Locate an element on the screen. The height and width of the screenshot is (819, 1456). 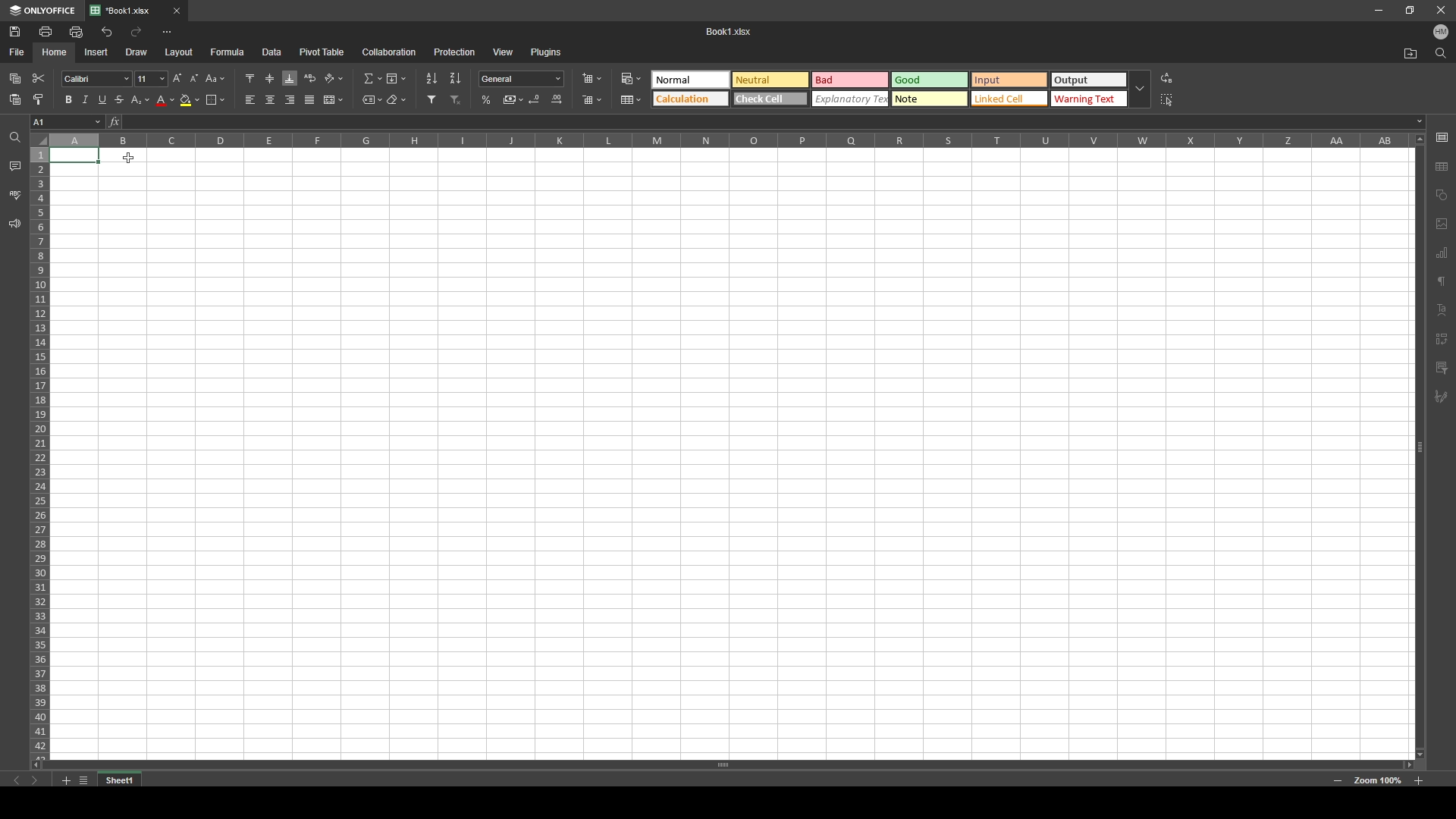
change case is located at coordinates (216, 78).